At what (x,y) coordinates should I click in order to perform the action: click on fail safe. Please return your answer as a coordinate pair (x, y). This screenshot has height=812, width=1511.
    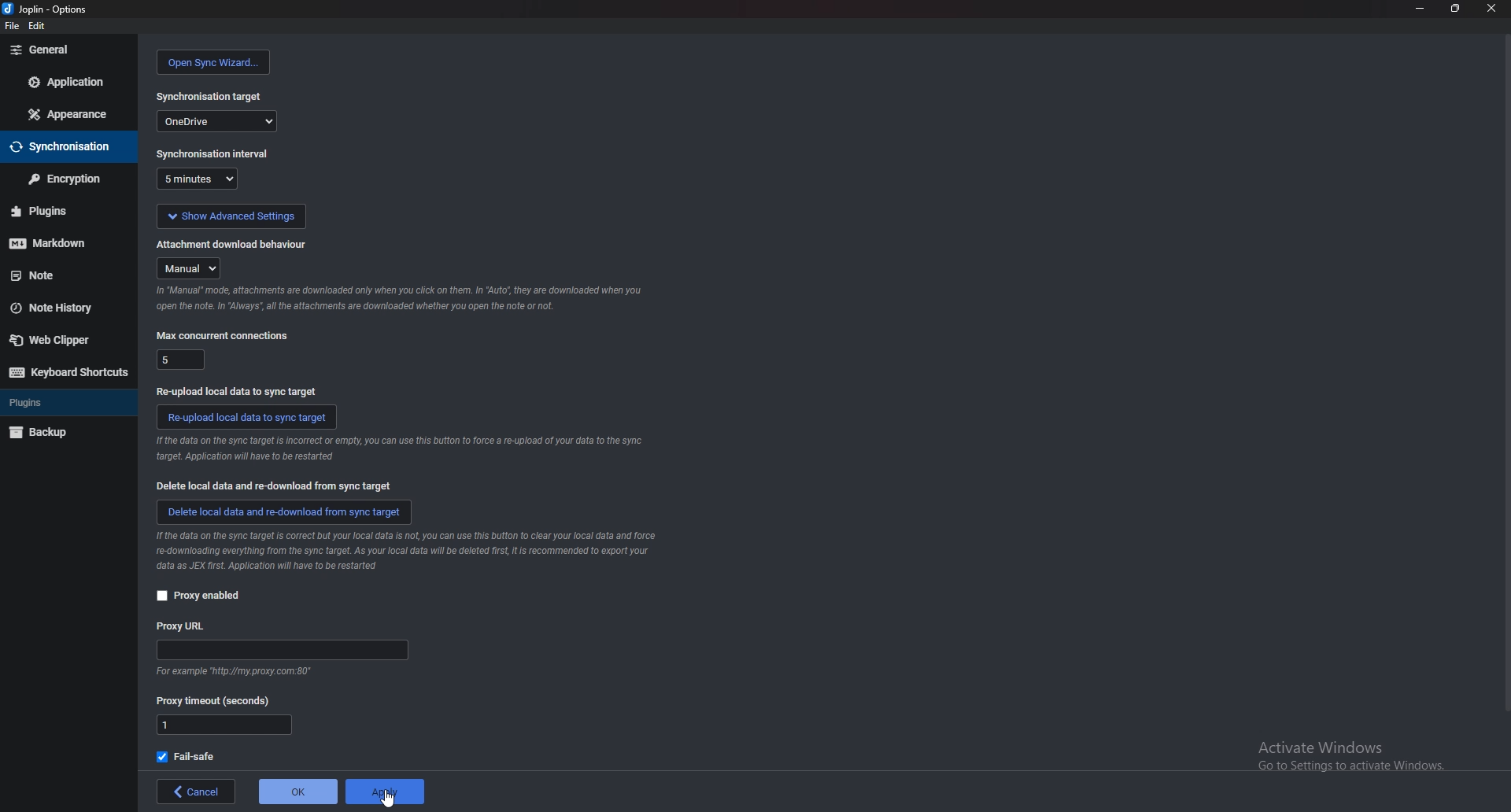
    Looking at the image, I should click on (187, 757).